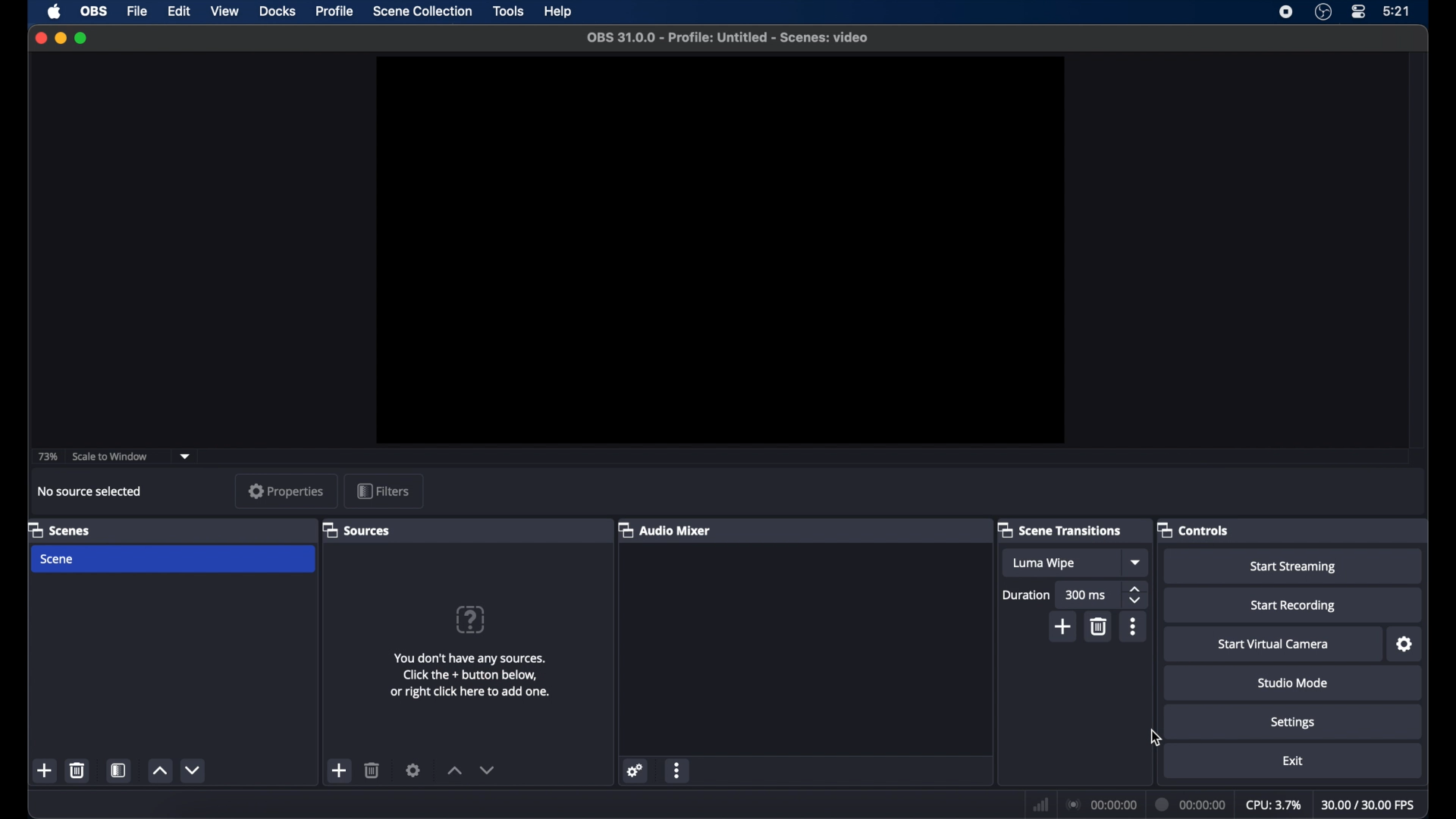  I want to click on increment, so click(158, 771).